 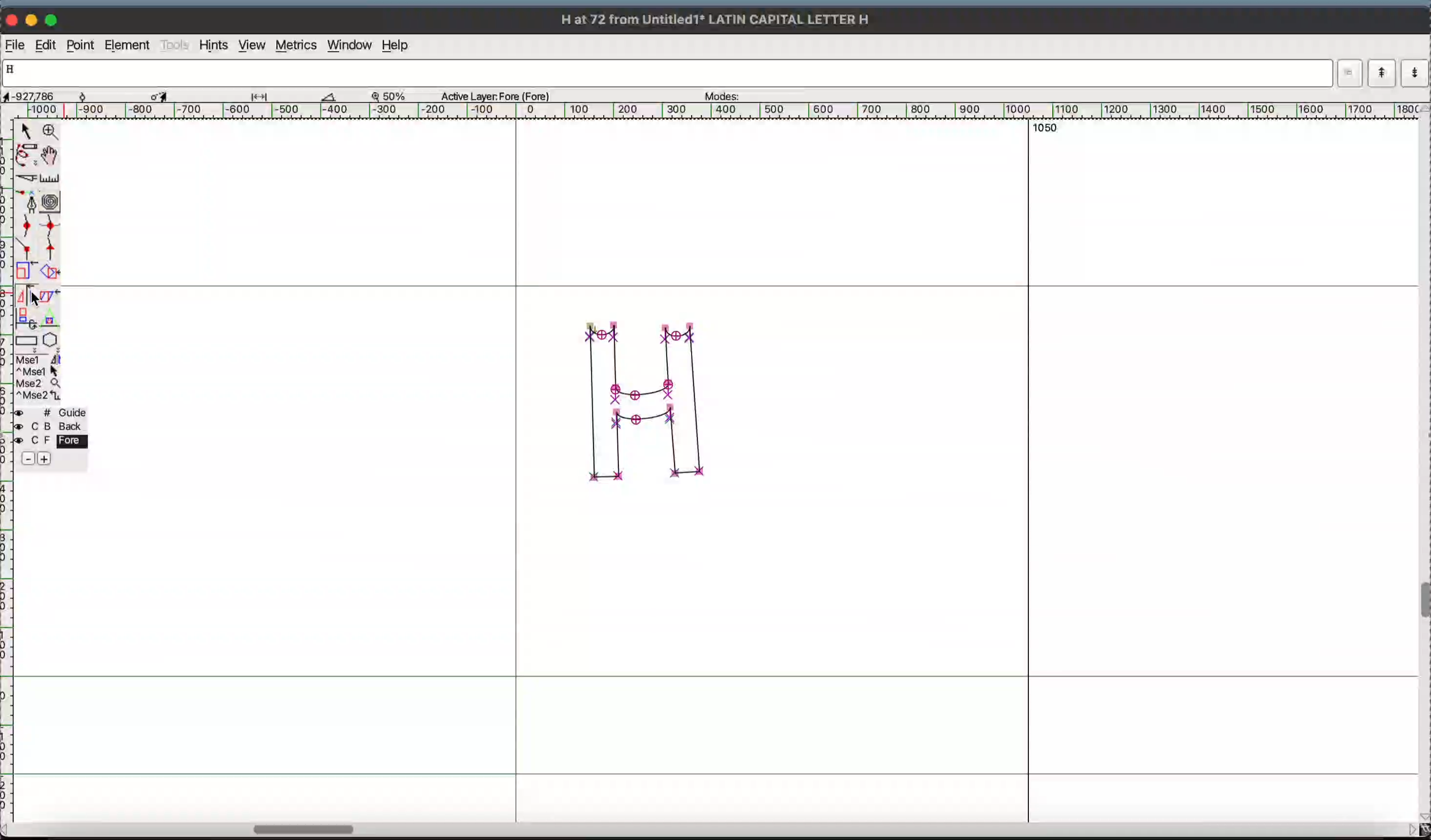 What do you see at coordinates (348, 44) in the screenshot?
I see `window` at bounding box center [348, 44].